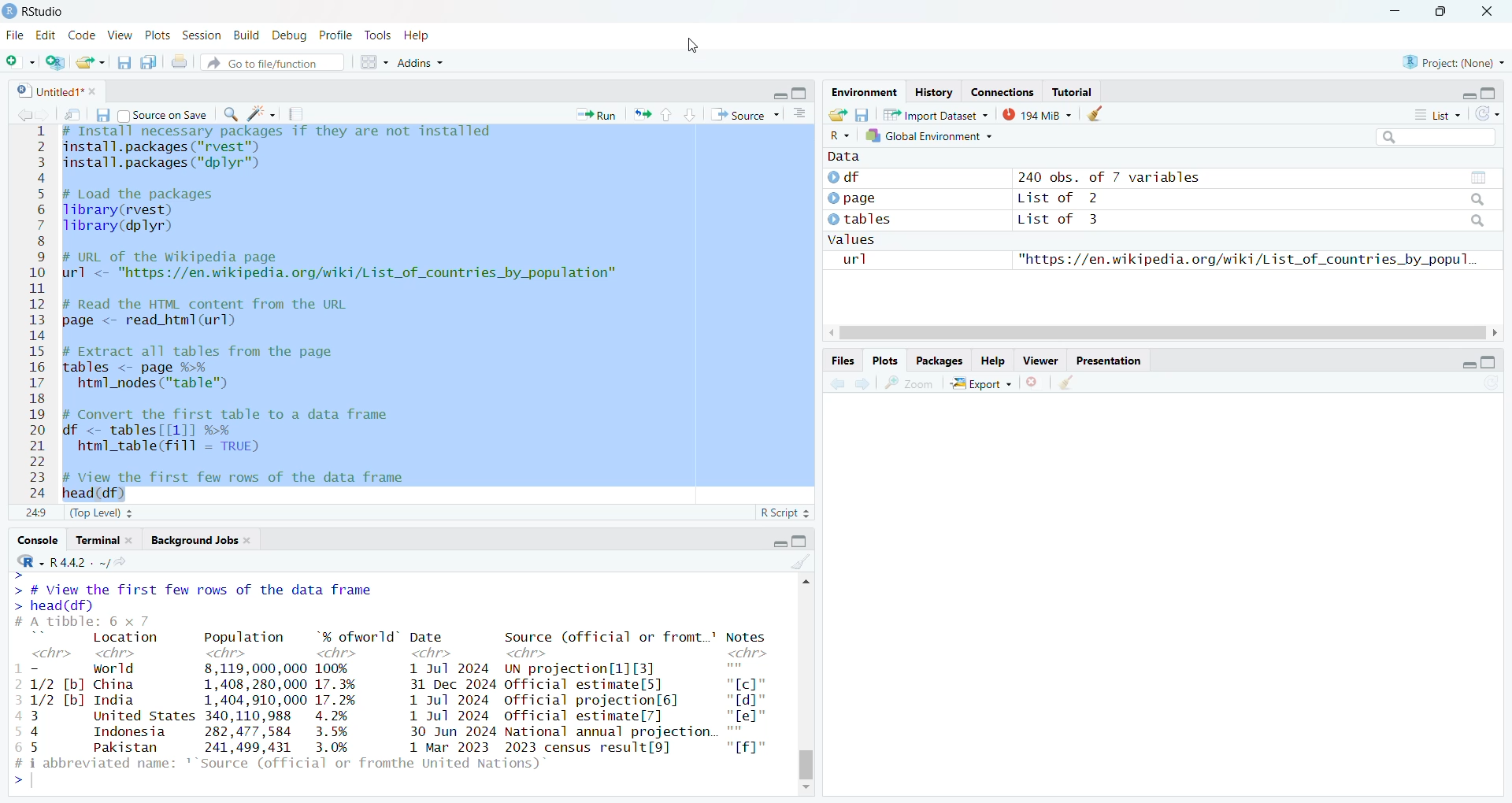 This screenshot has width=1512, height=803. Describe the element at coordinates (668, 115) in the screenshot. I see `up` at that location.